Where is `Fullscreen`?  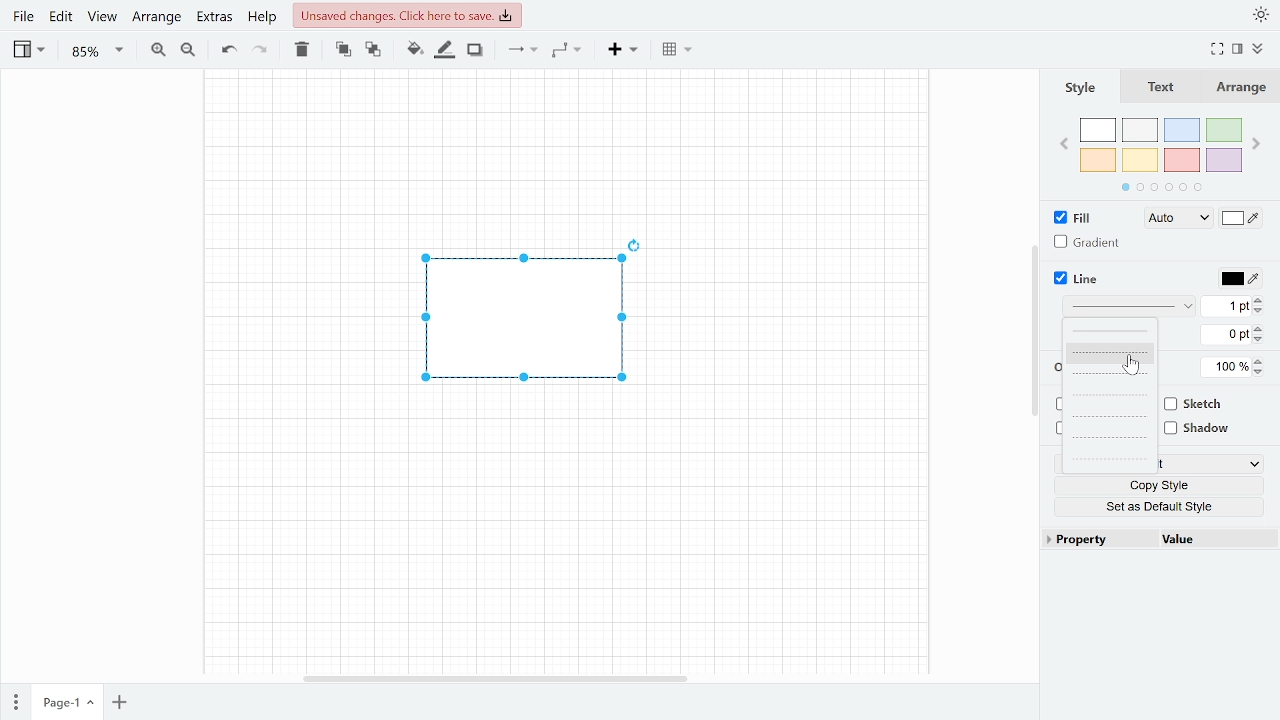
Fullscreen is located at coordinates (1217, 50).